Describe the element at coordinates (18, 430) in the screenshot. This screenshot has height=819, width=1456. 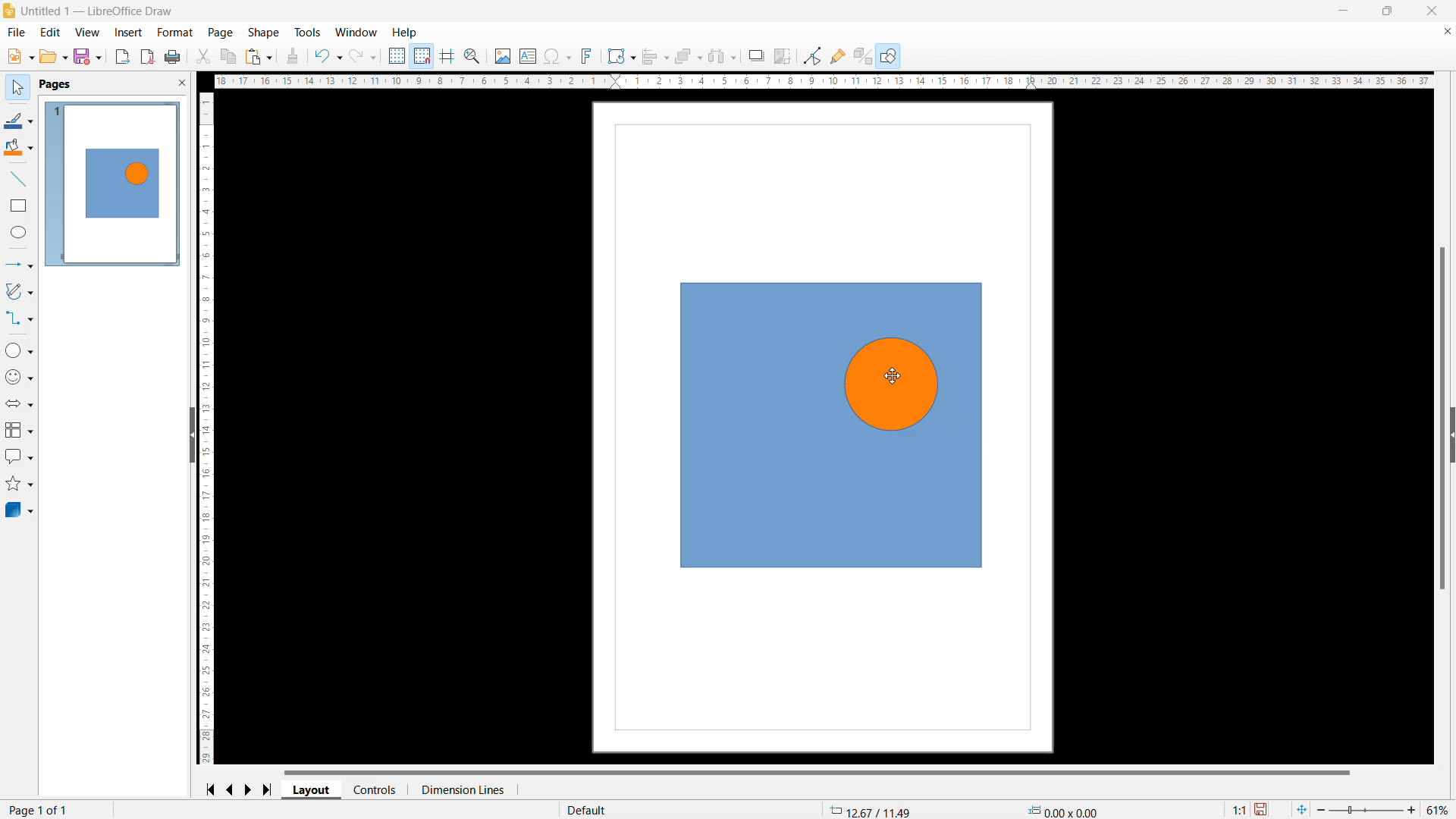
I see `flowchart` at that location.